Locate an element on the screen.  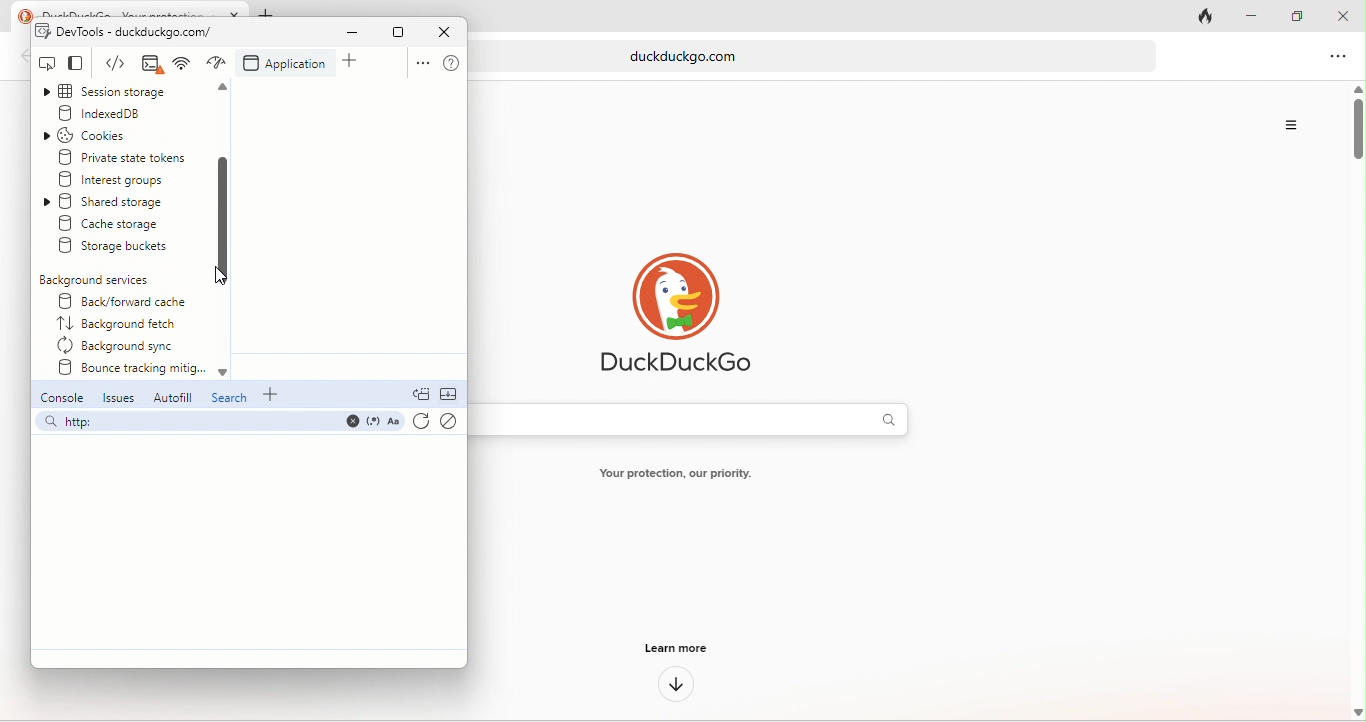
add is located at coordinates (275, 395).